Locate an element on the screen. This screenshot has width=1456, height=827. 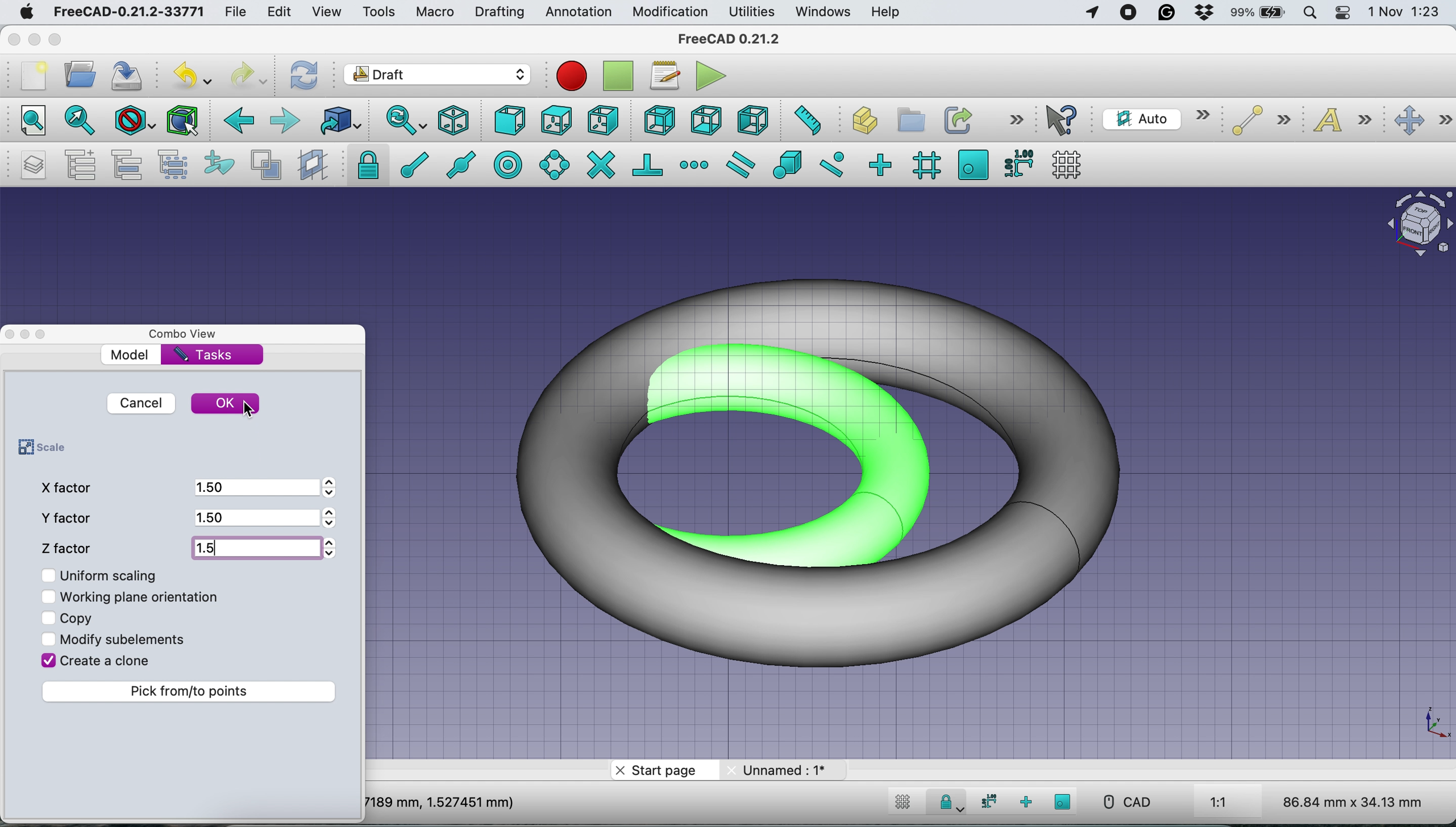
refresh is located at coordinates (305, 76).